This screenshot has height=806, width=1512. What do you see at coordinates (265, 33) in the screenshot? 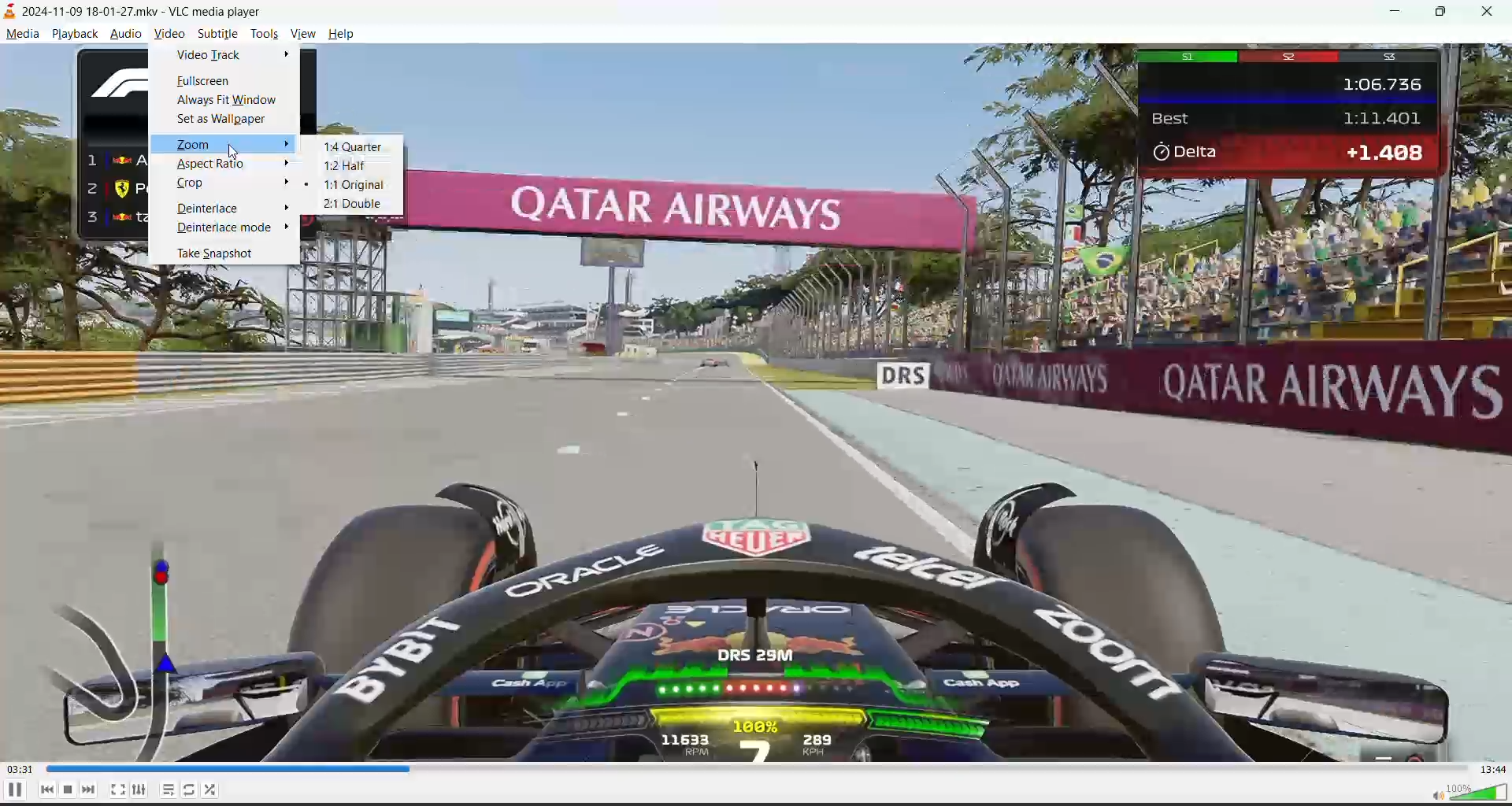
I see `tools` at bounding box center [265, 33].